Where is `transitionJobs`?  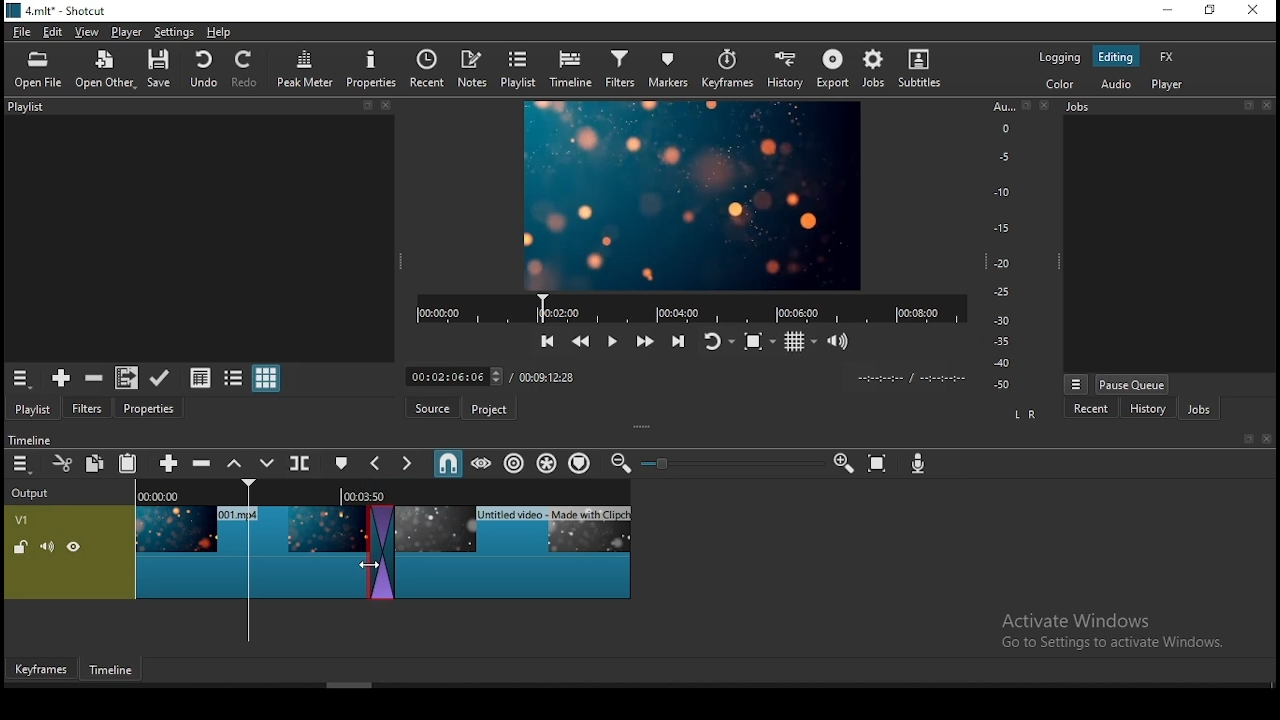
transitionJobs is located at coordinates (383, 552).